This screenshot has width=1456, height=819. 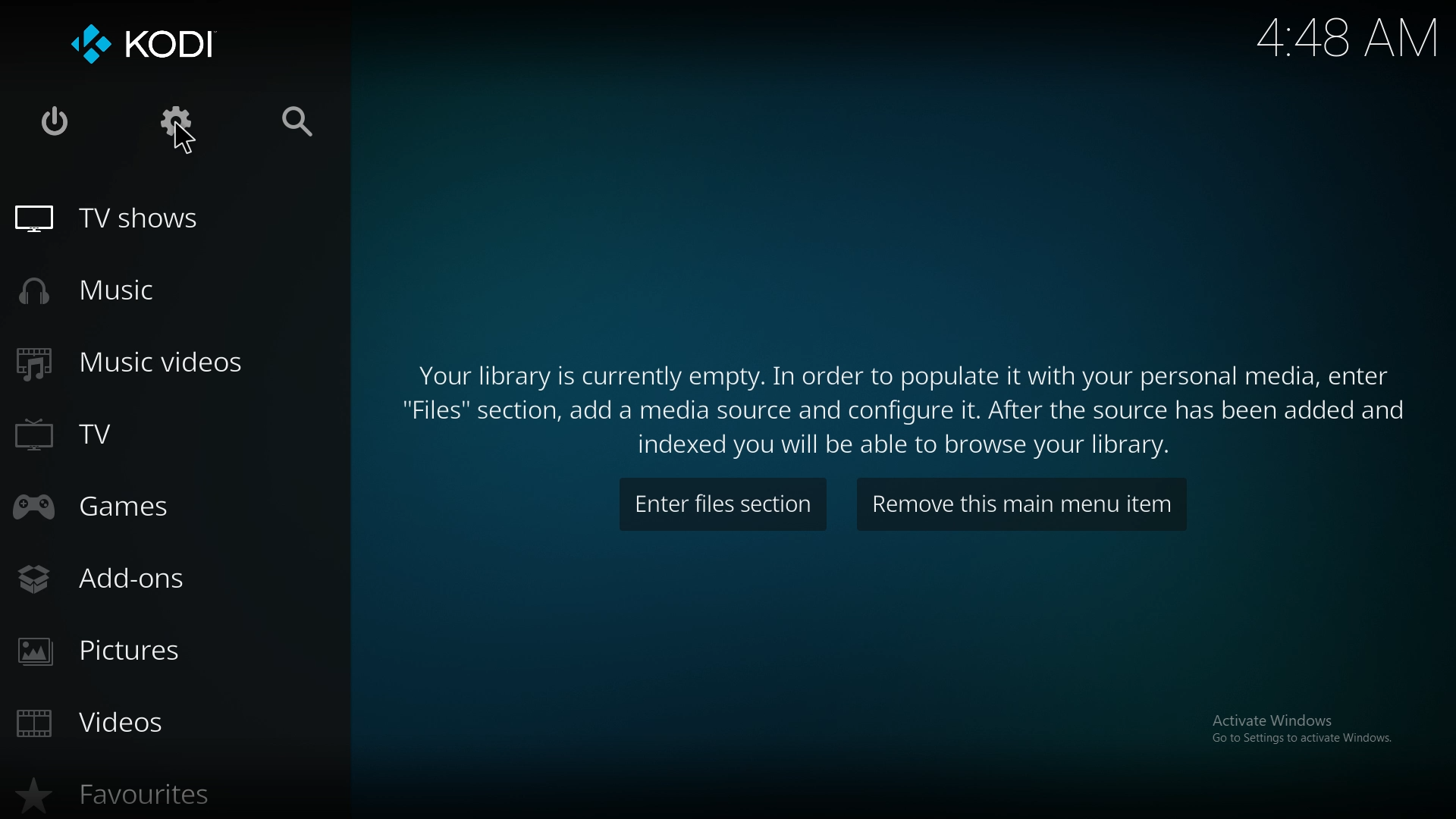 What do you see at coordinates (102, 290) in the screenshot?
I see `music` at bounding box center [102, 290].